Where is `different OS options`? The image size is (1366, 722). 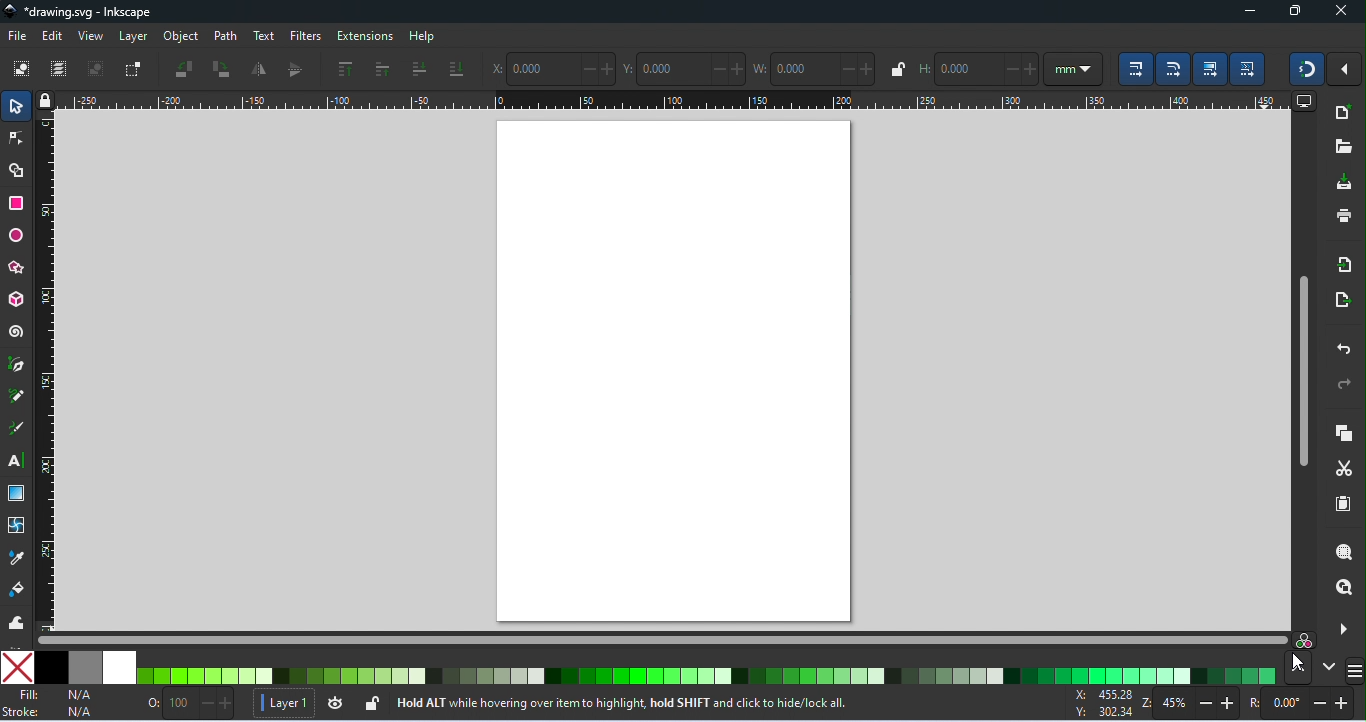
different OS options is located at coordinates (1355, 671).